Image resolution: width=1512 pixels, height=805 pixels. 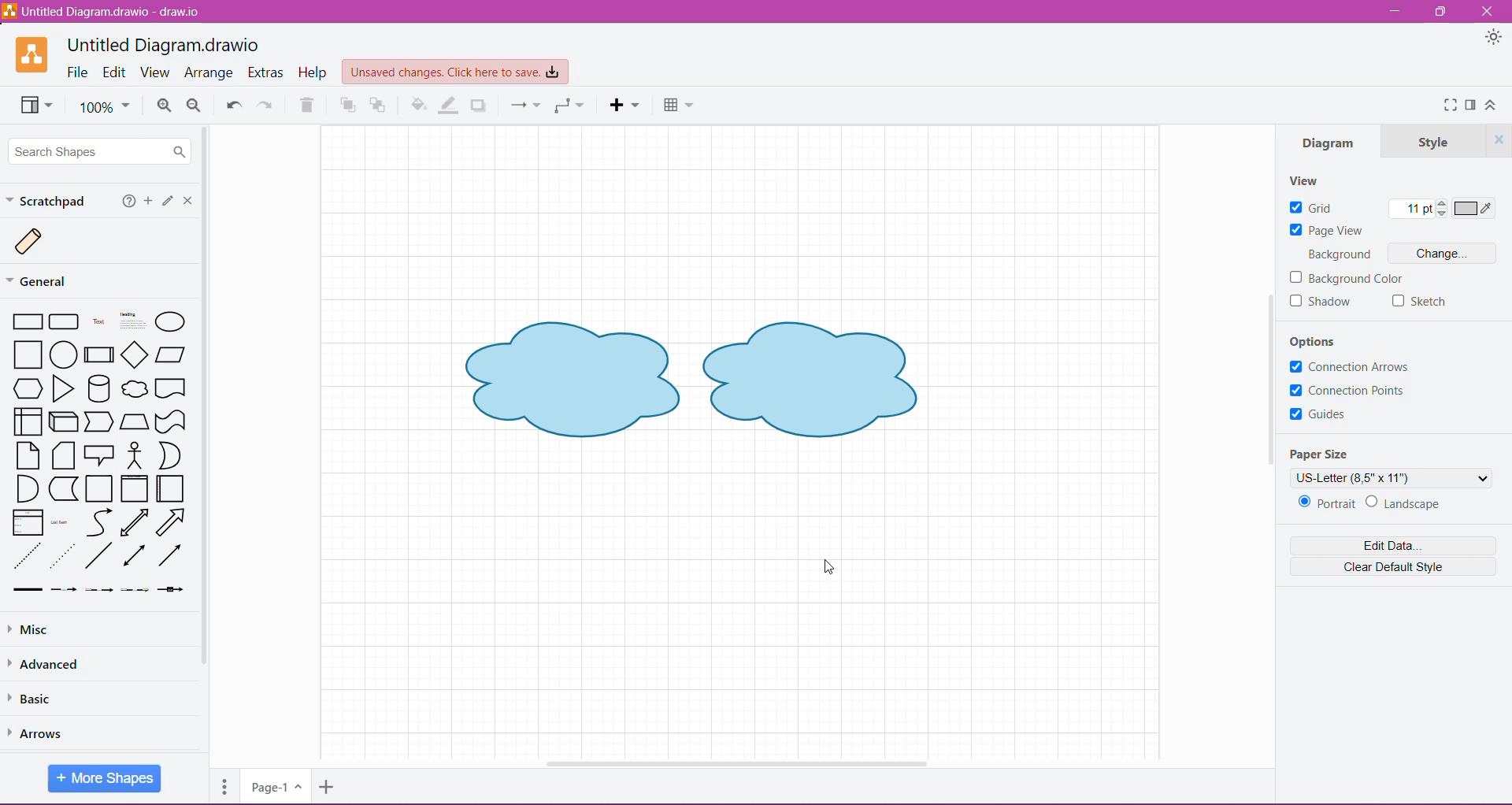 I want to click on Page-1, so click(x=274, y=787).